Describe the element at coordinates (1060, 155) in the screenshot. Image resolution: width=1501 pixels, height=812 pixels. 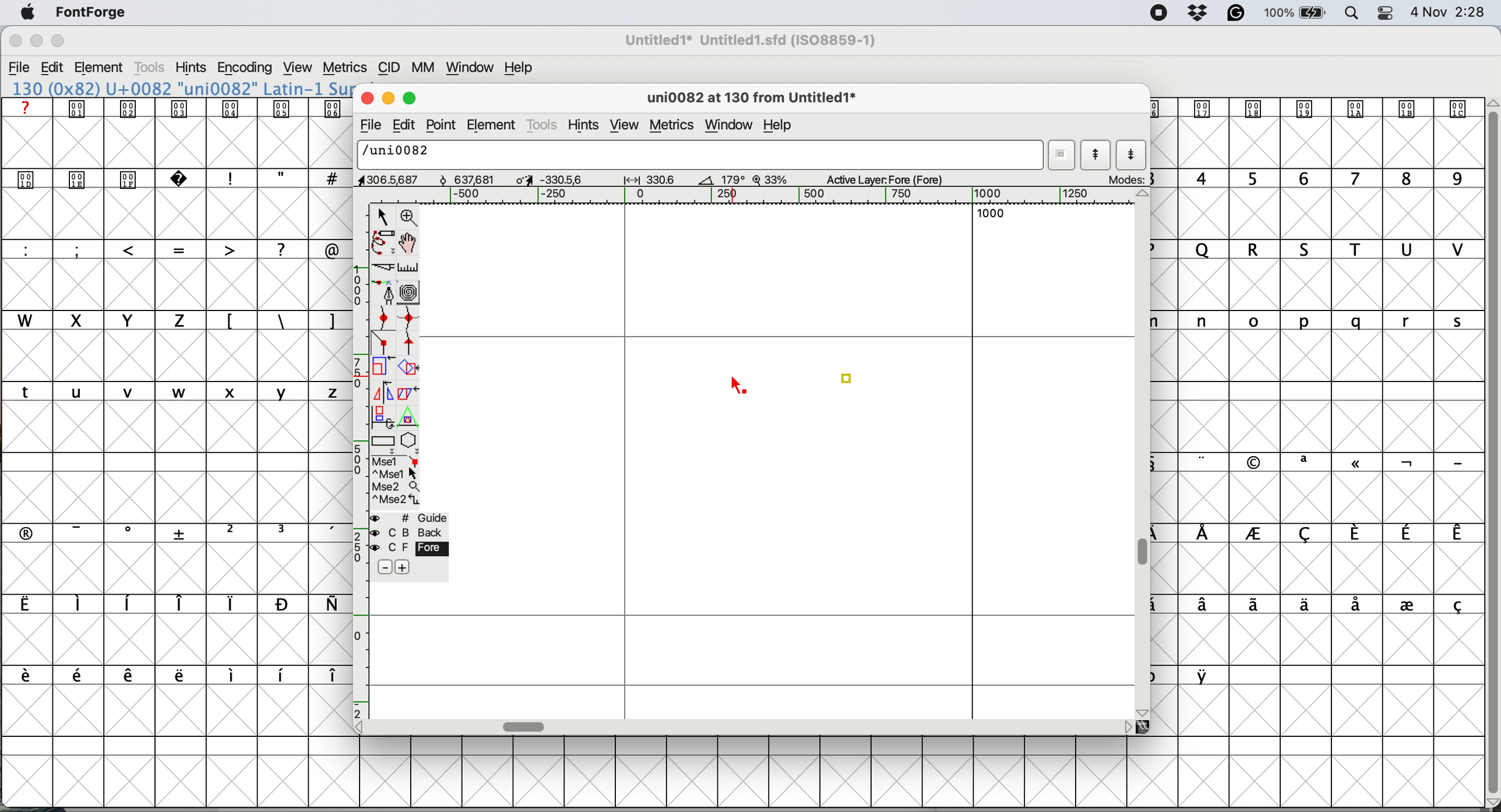
I see `current word list` at that location.